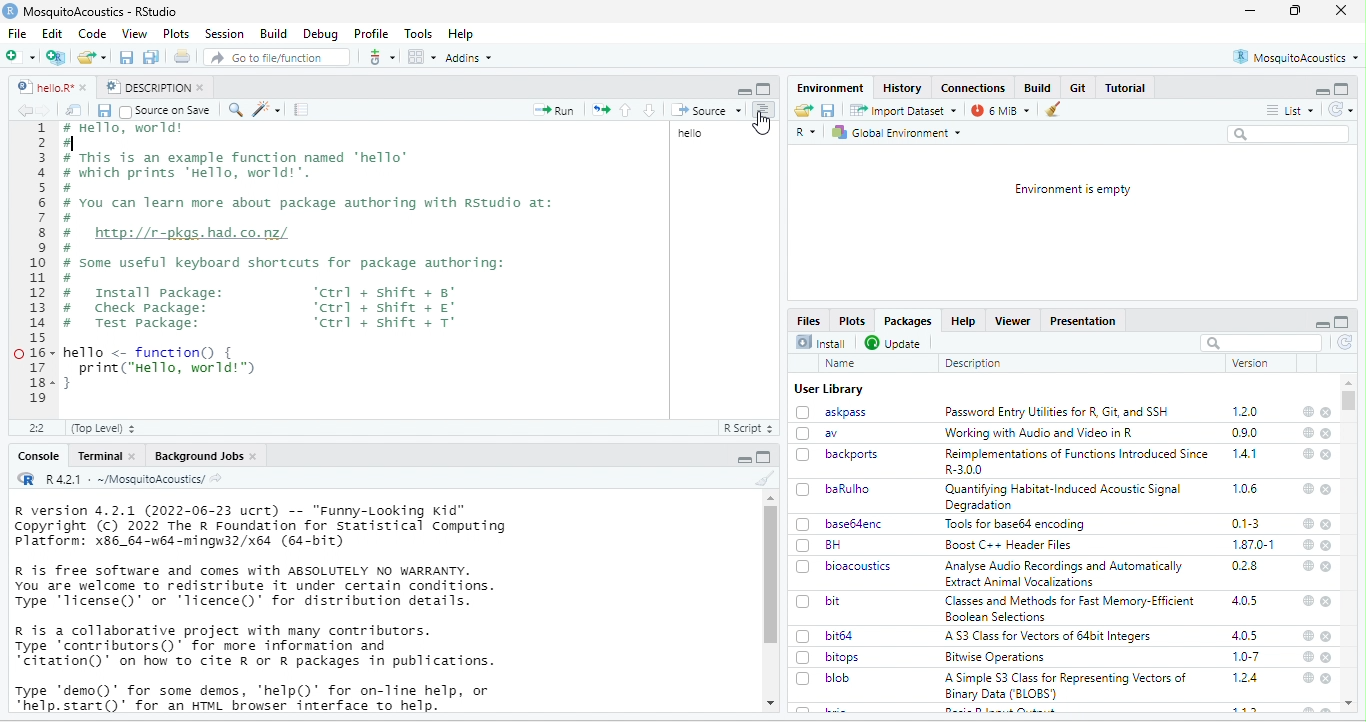 Image resolution: width=1366 pixels, height=722 pixels. Describe the element at coordinates (855, 320) in the screenshot. I see `Plots` at that location.